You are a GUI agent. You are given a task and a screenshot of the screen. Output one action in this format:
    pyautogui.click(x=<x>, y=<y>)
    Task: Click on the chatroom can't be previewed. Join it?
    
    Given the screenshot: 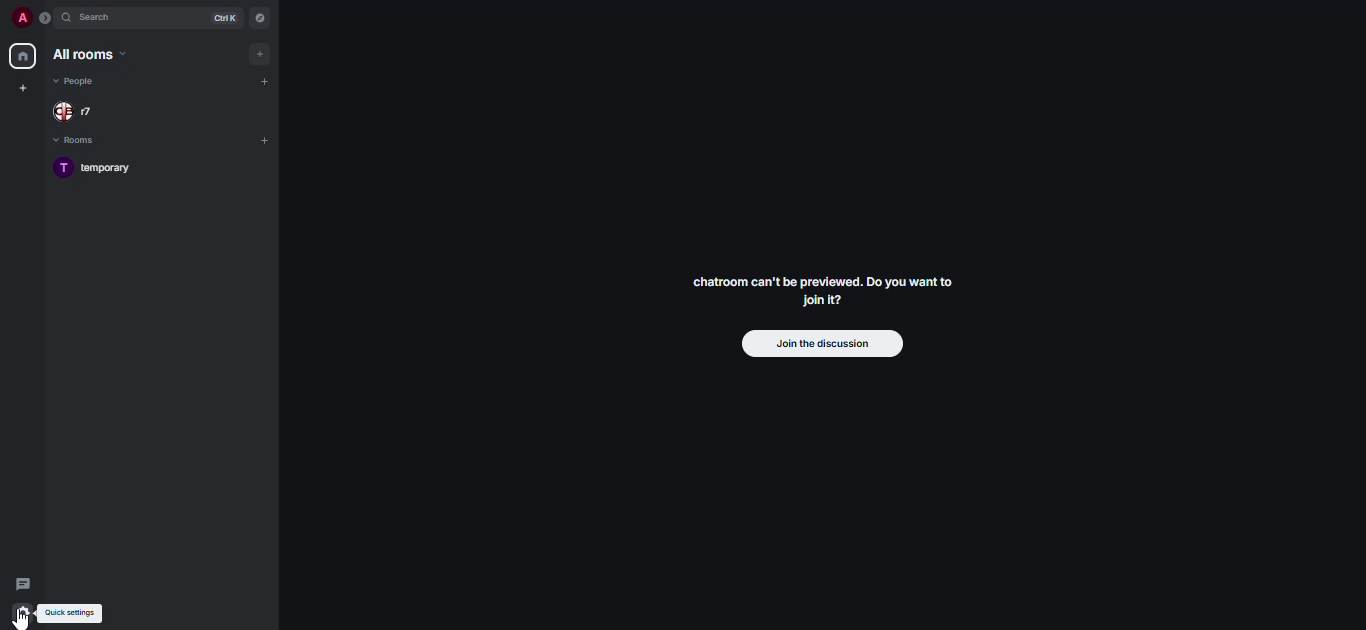 What is the action you would take?
    pyautogui.click(x=820, y=289)
    